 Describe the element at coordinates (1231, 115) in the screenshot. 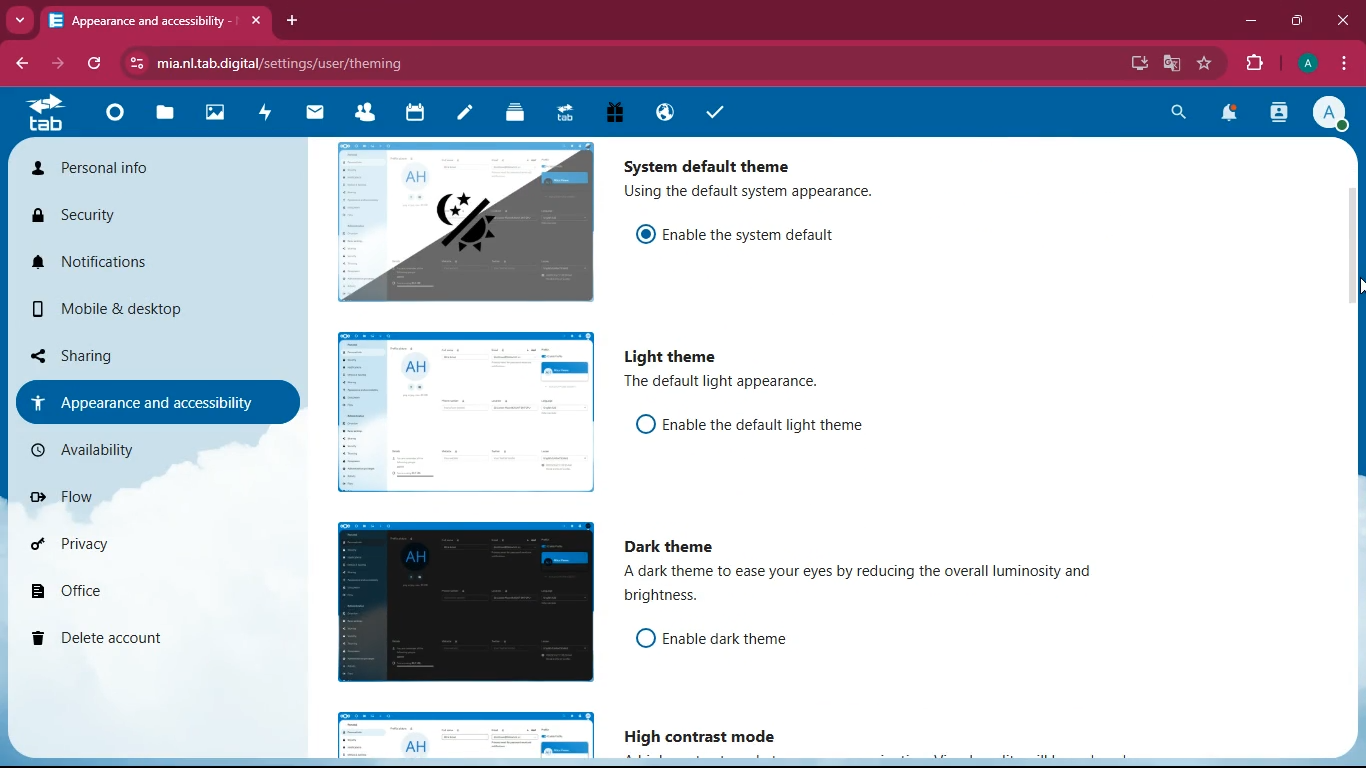

I see `notifications` at that location.